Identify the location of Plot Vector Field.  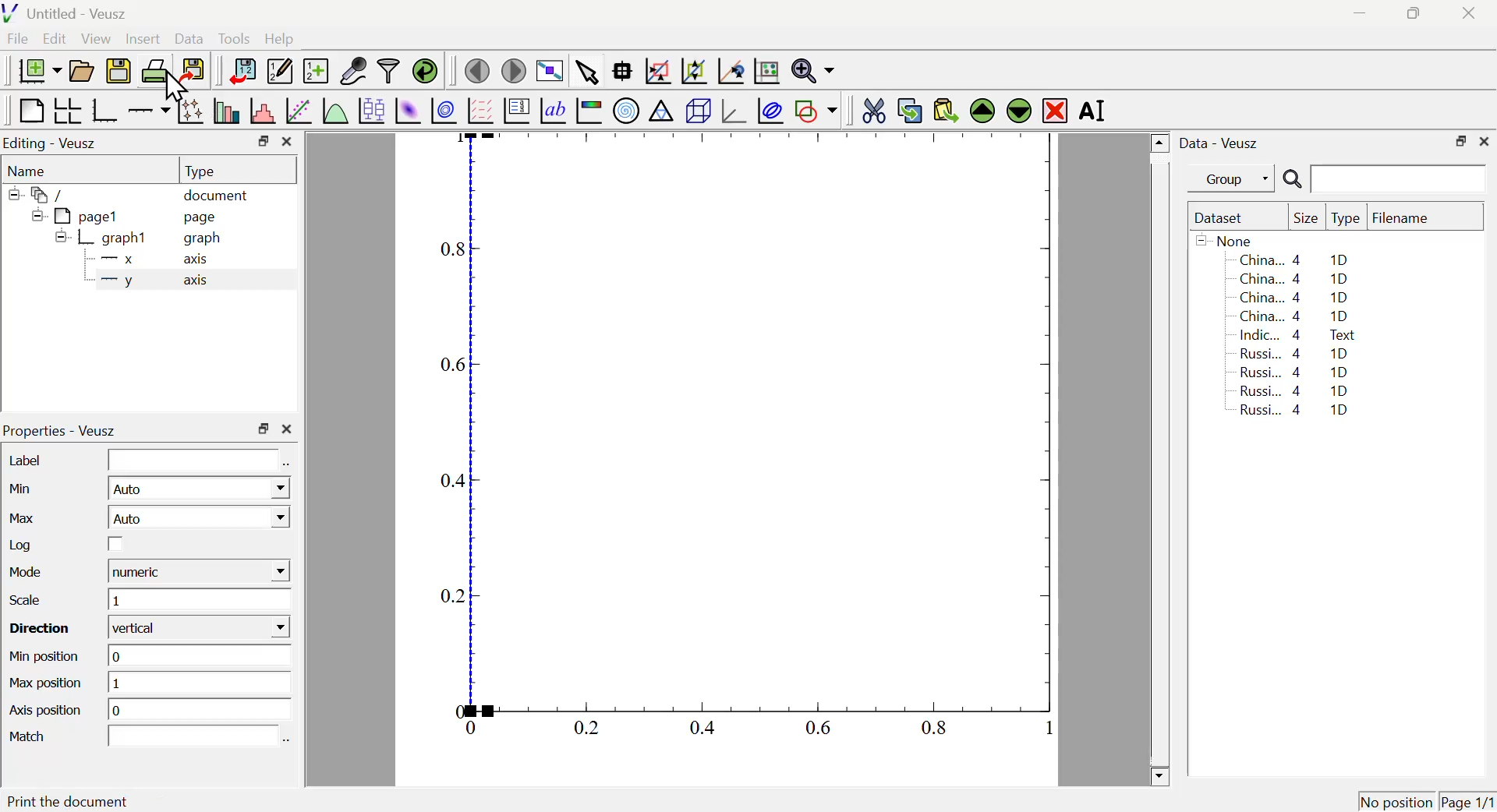
(478, 110).